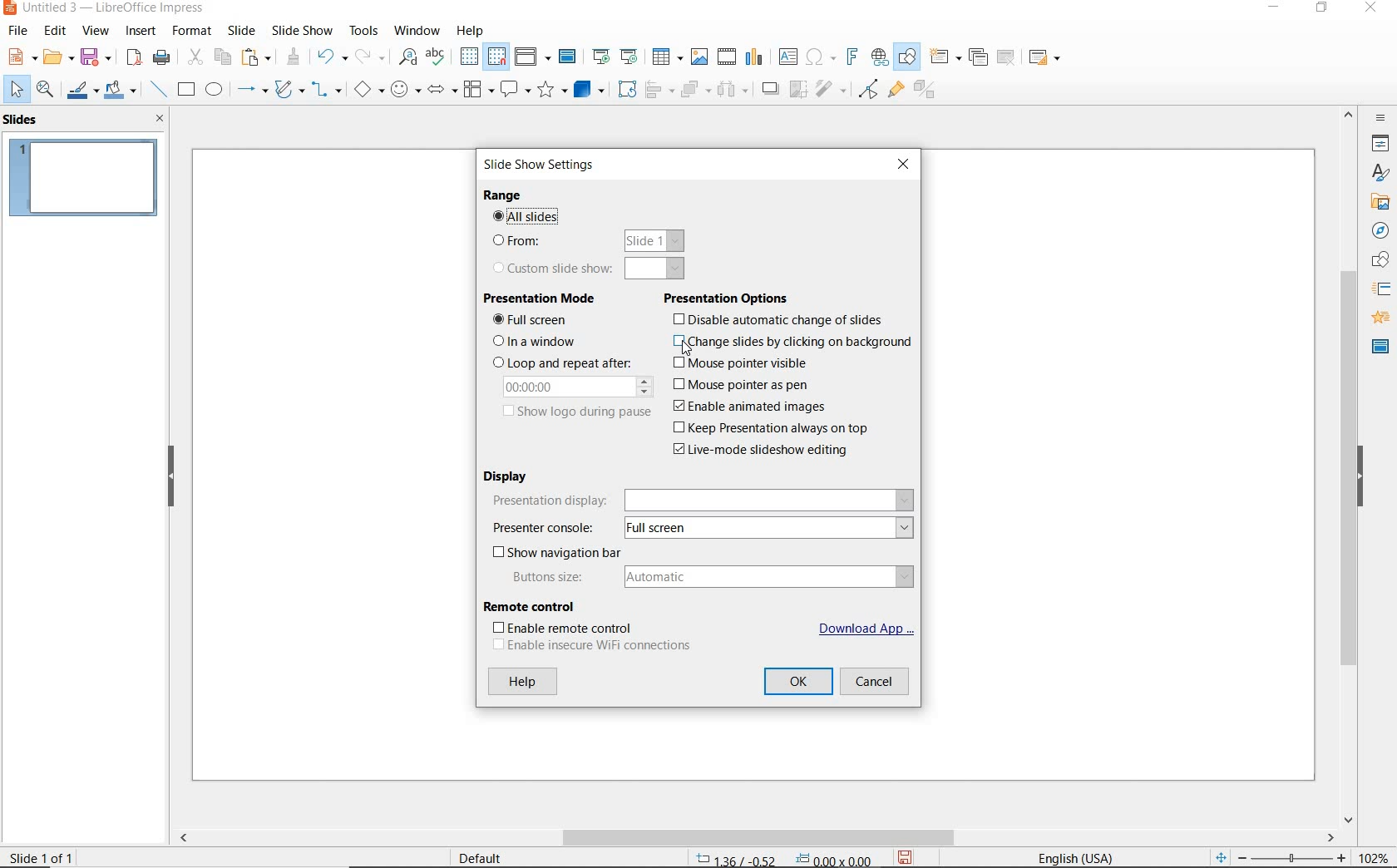 This screenshot has width=1397, height=868. Describe the element at coordinates (797, 683) in the screenshot. I see `OK` at that location.